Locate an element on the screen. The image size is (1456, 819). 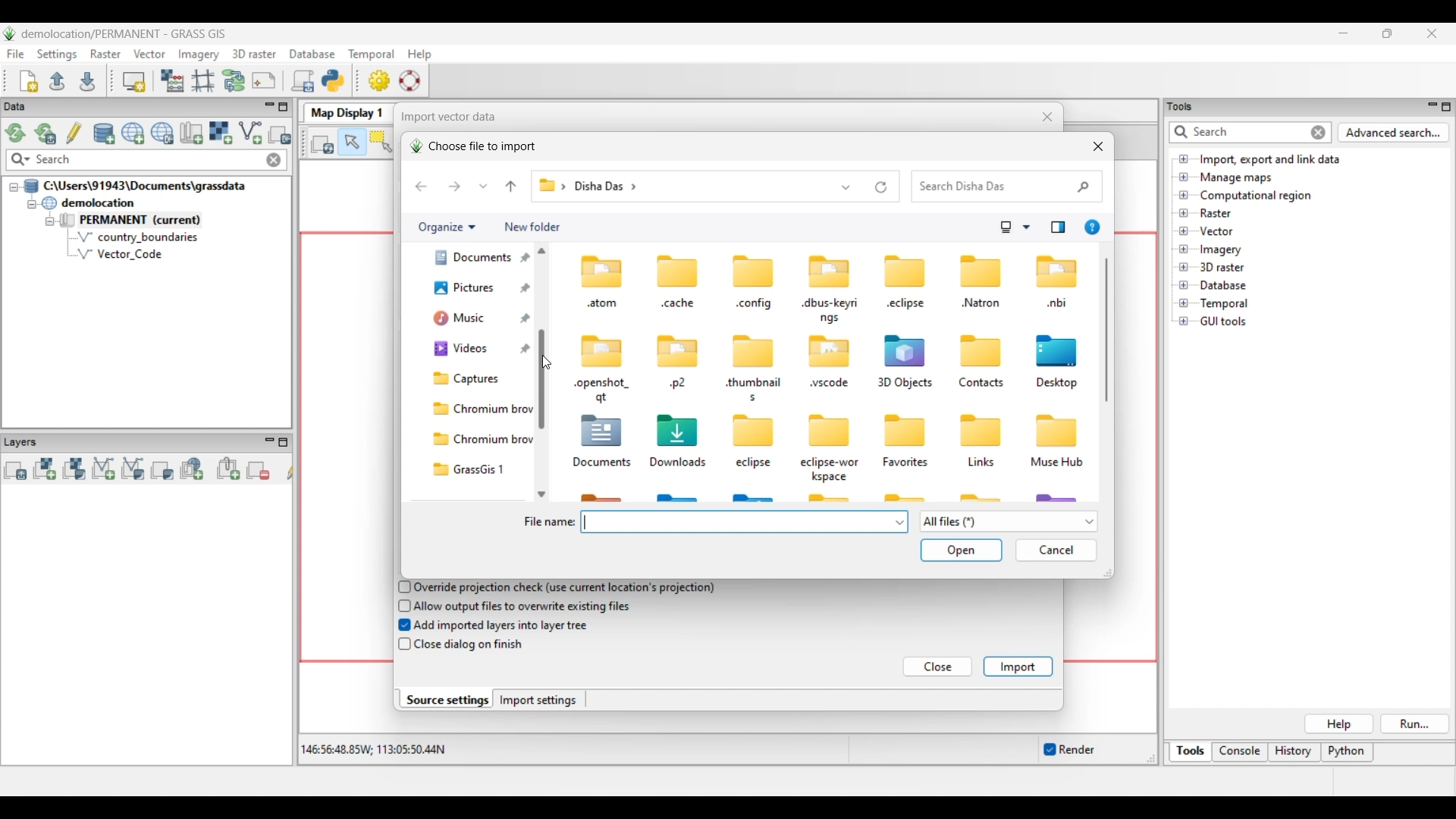
Add various raster map layers is located at coordinates (74, 469).